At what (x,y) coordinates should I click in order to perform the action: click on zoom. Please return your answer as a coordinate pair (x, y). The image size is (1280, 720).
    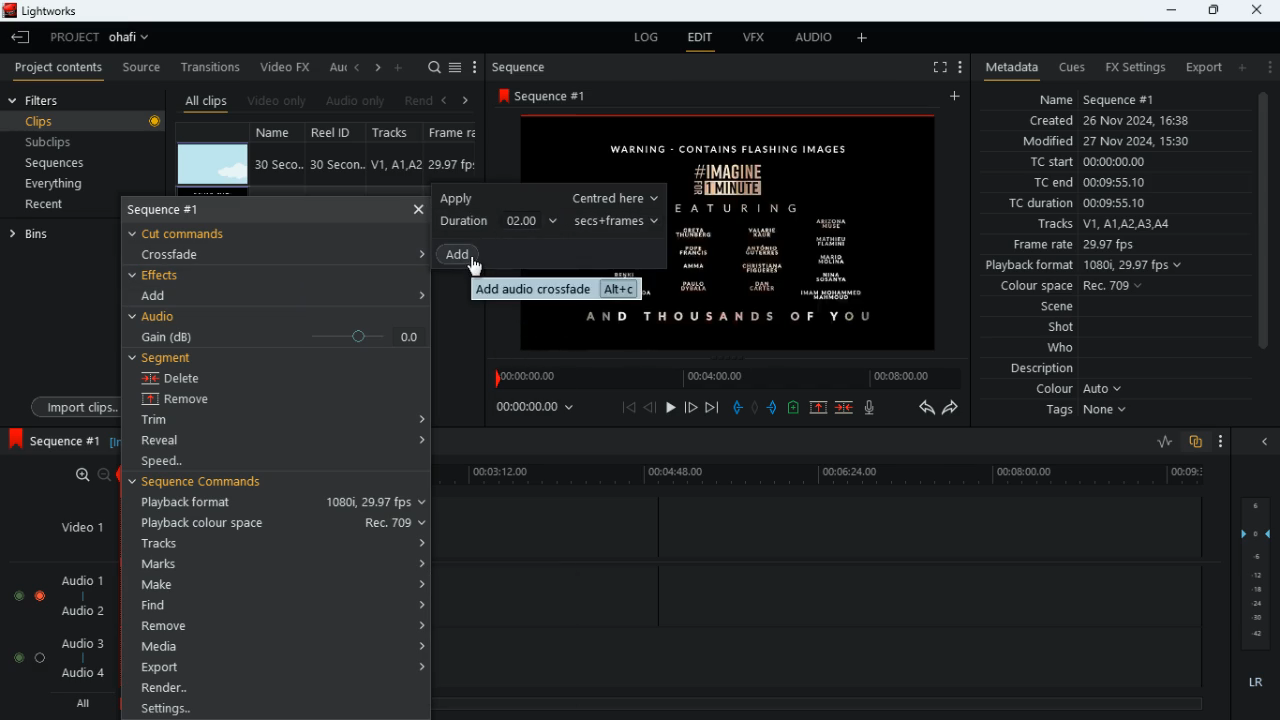
    Looking at the image, I should click on (85, 475).